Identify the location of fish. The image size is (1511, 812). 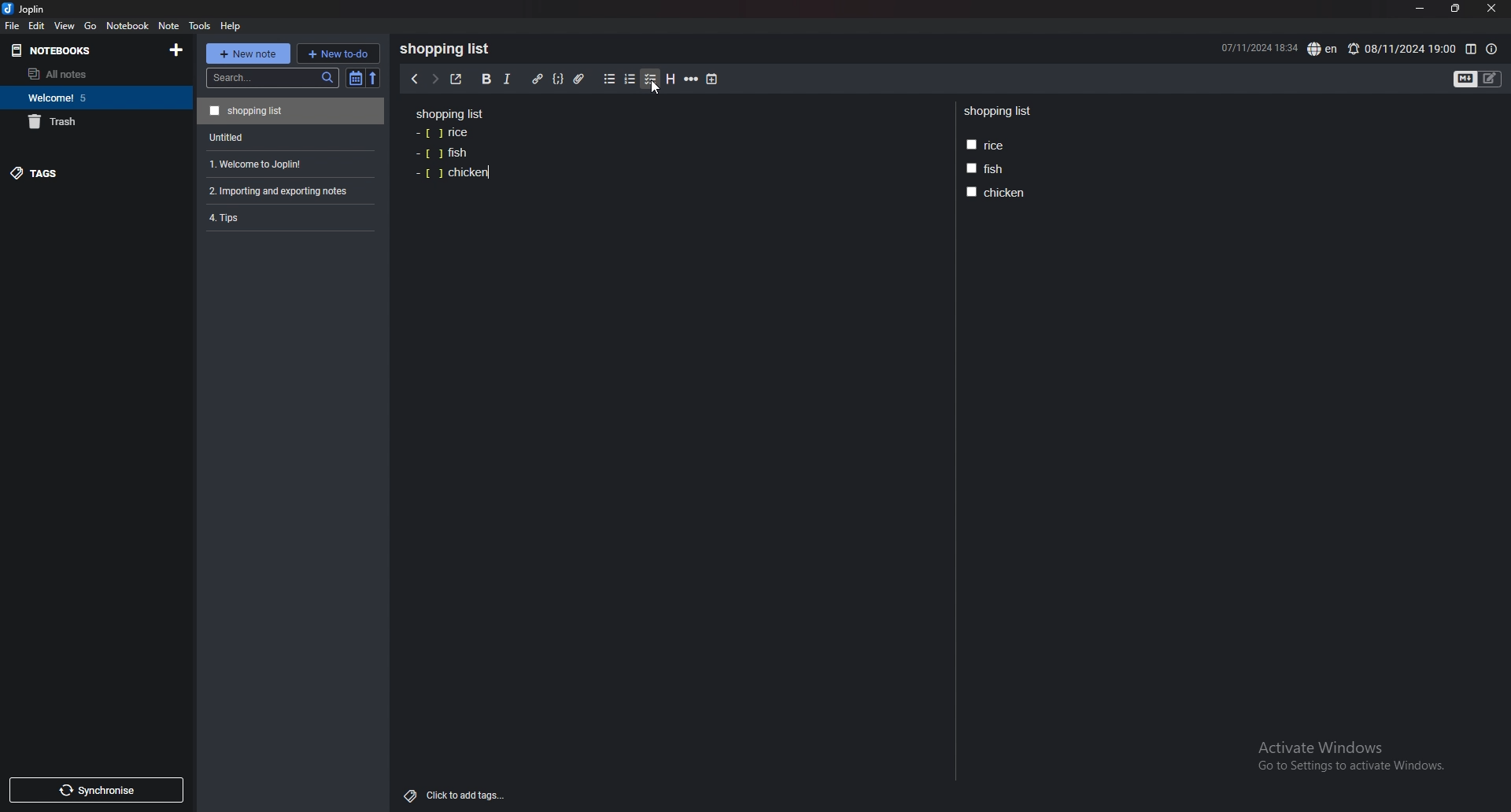
(441, 153).